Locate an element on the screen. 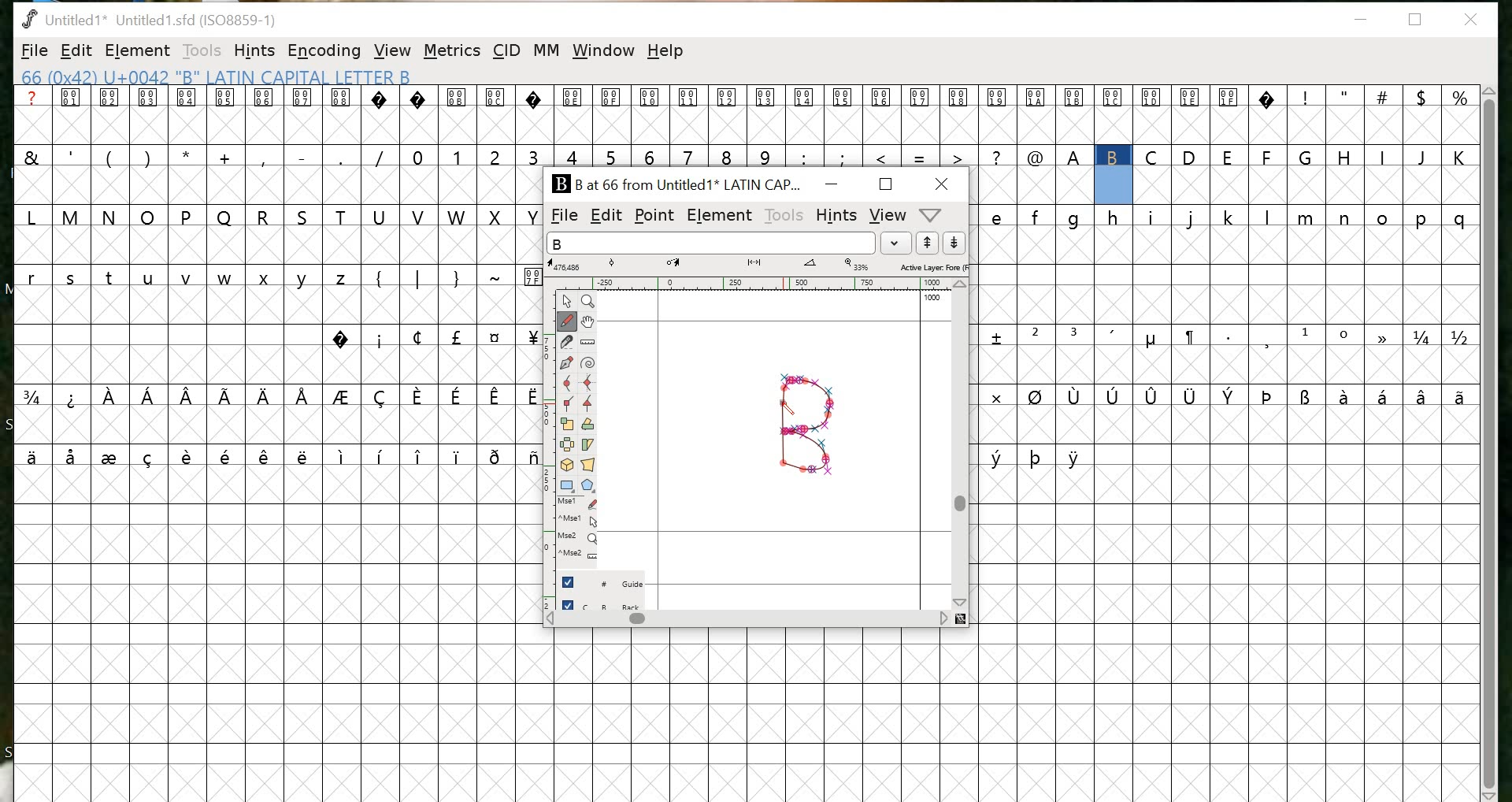 Image resolution: width=1512 pixels, height=802 pixels. Tangent is located at coordinates (591, 405).